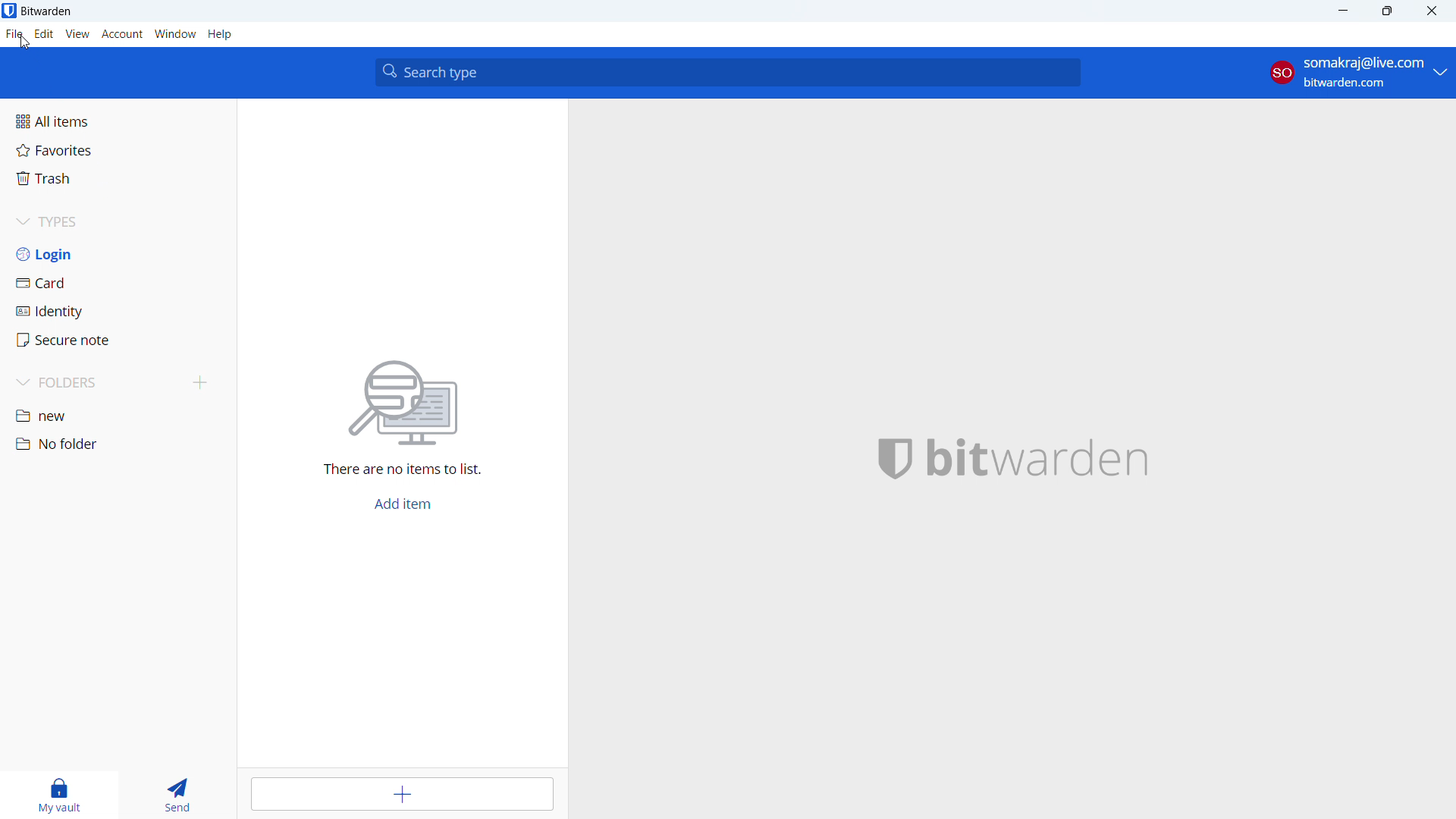 Image resolution: width=1456 pixels, height=819 pixels. I want to click on favorites, so click(116, 149).